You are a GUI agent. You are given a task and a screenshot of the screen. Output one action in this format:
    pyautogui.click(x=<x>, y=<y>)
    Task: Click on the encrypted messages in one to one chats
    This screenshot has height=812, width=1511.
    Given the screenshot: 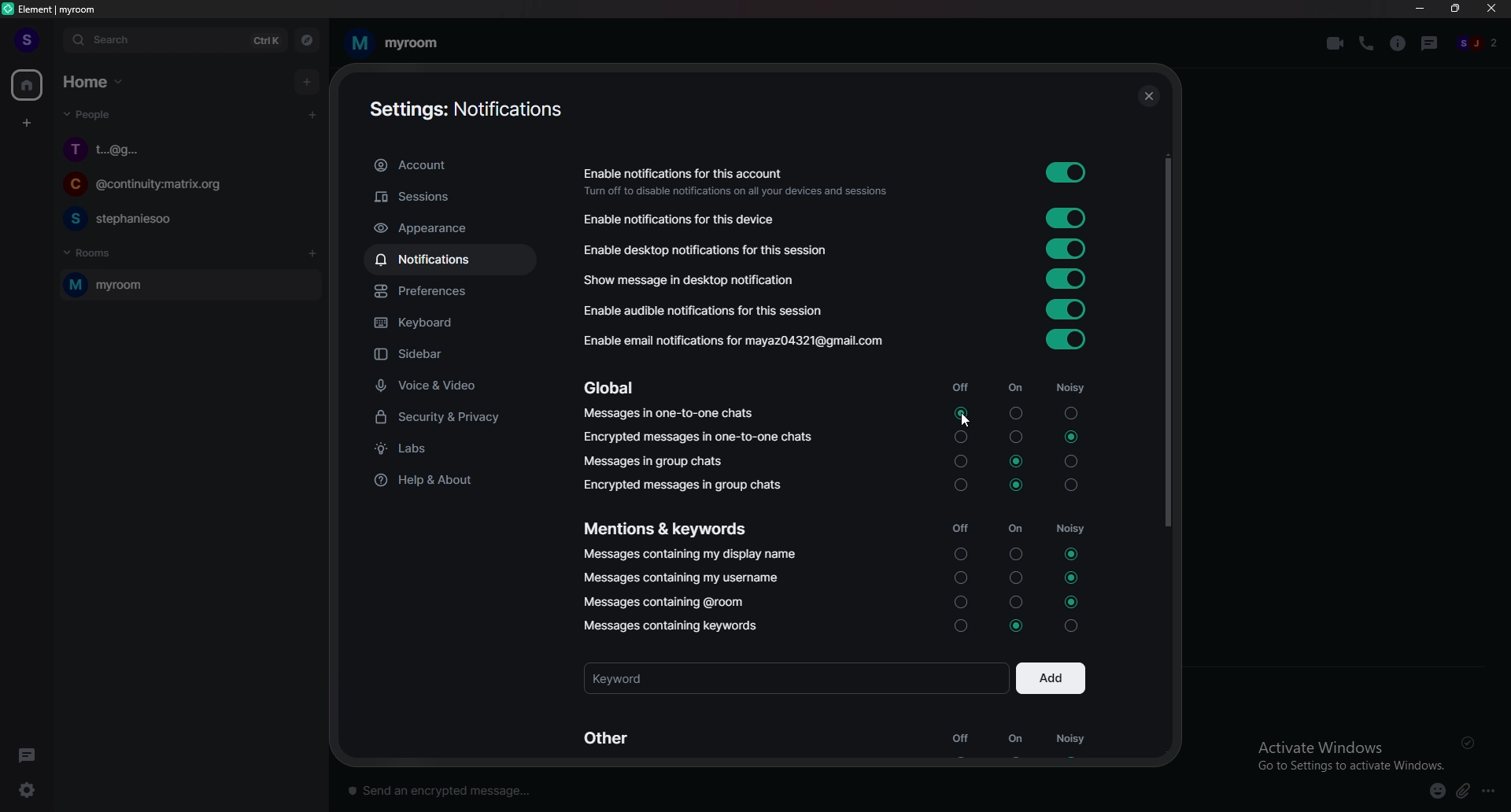 What is the action you would take?
    pyautogui.click(x=700, y=437)
    